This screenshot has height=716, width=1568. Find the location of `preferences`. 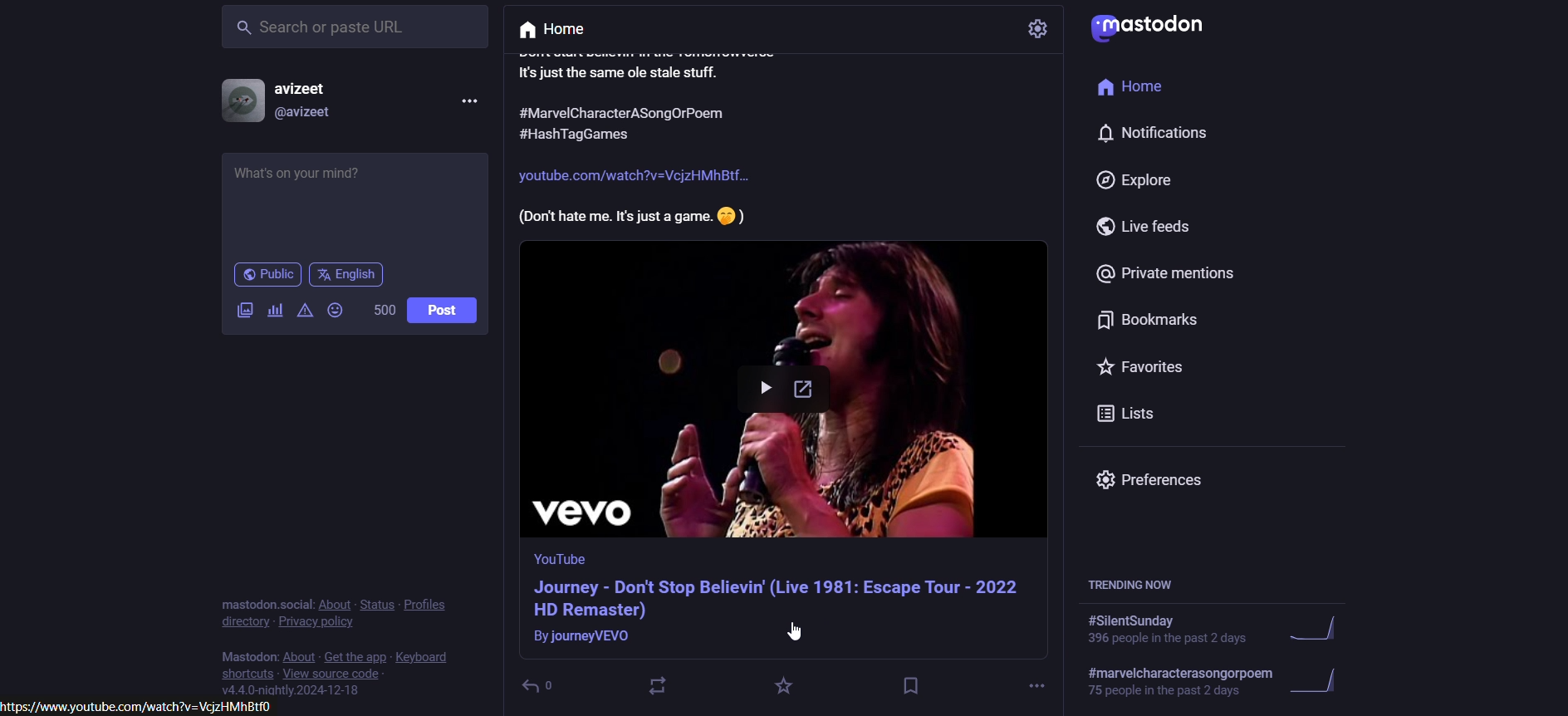

preferences is located at coordinates (1162, 485).